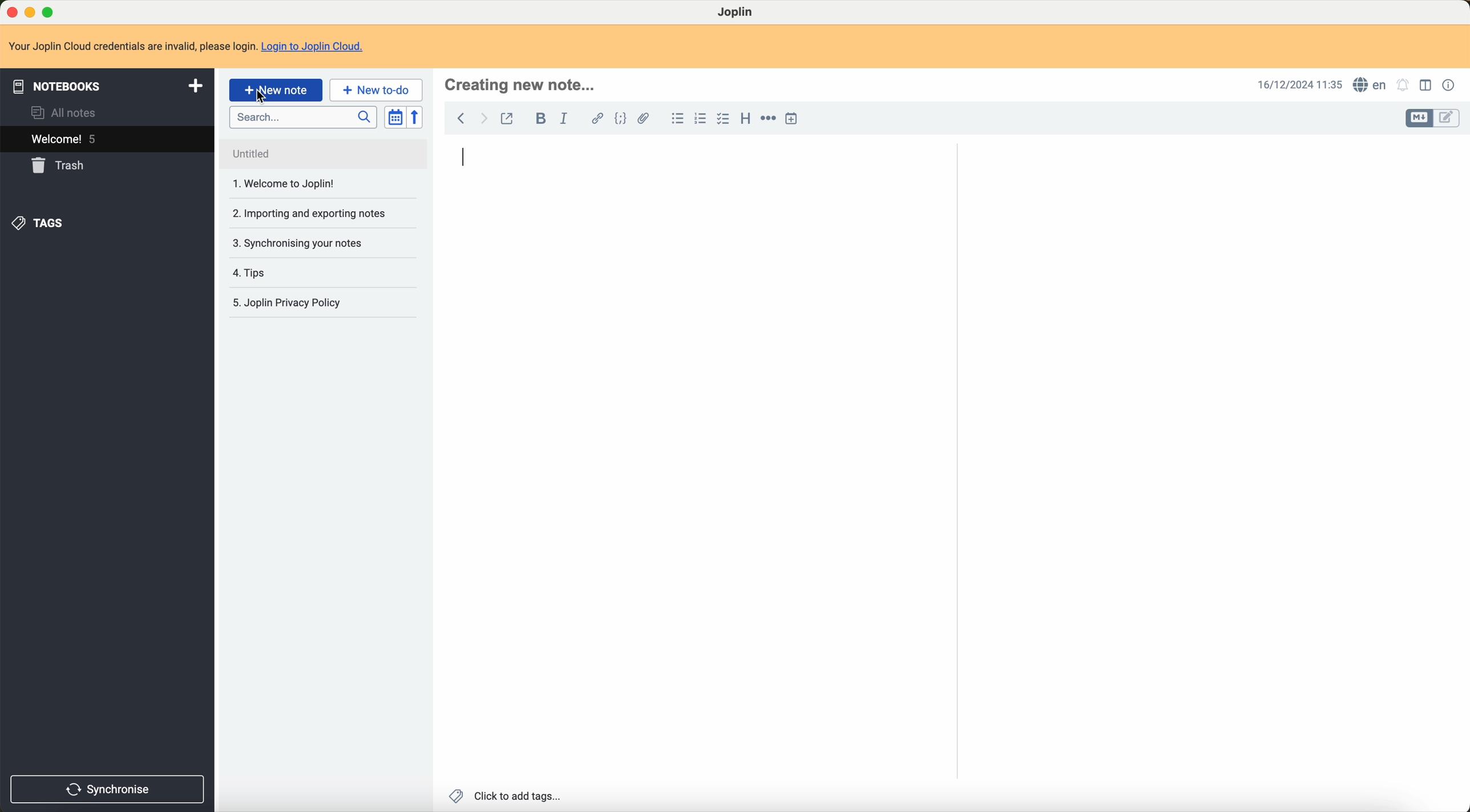 The height and width of the screenshot is (812, 1470). What do you see at coordinates (302, 244) in the screenshot?
I see `3. Synchronising your notes` at bounding box center [302, 244].